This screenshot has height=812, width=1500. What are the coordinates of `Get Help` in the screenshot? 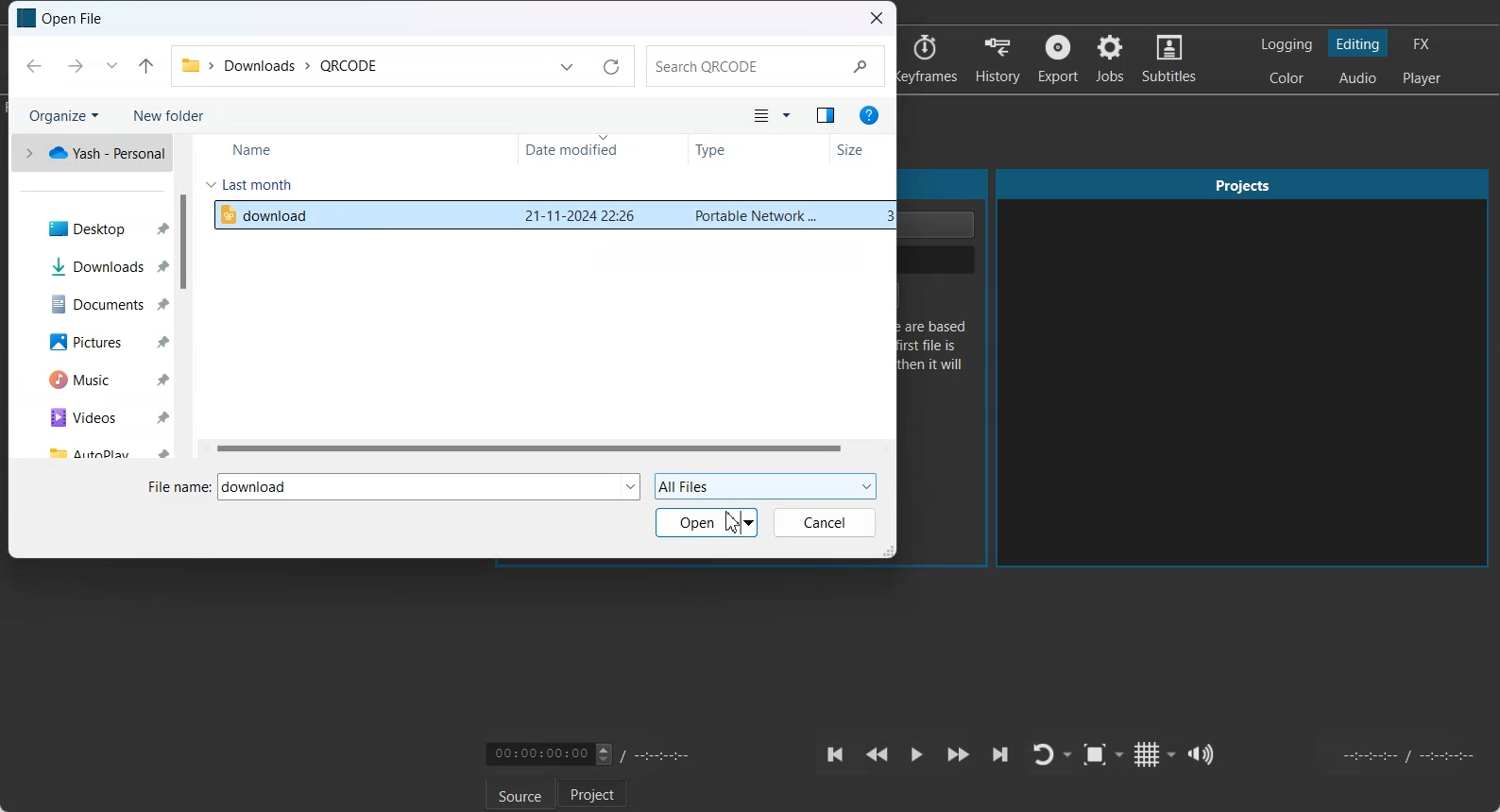 It's located at (870, 115).